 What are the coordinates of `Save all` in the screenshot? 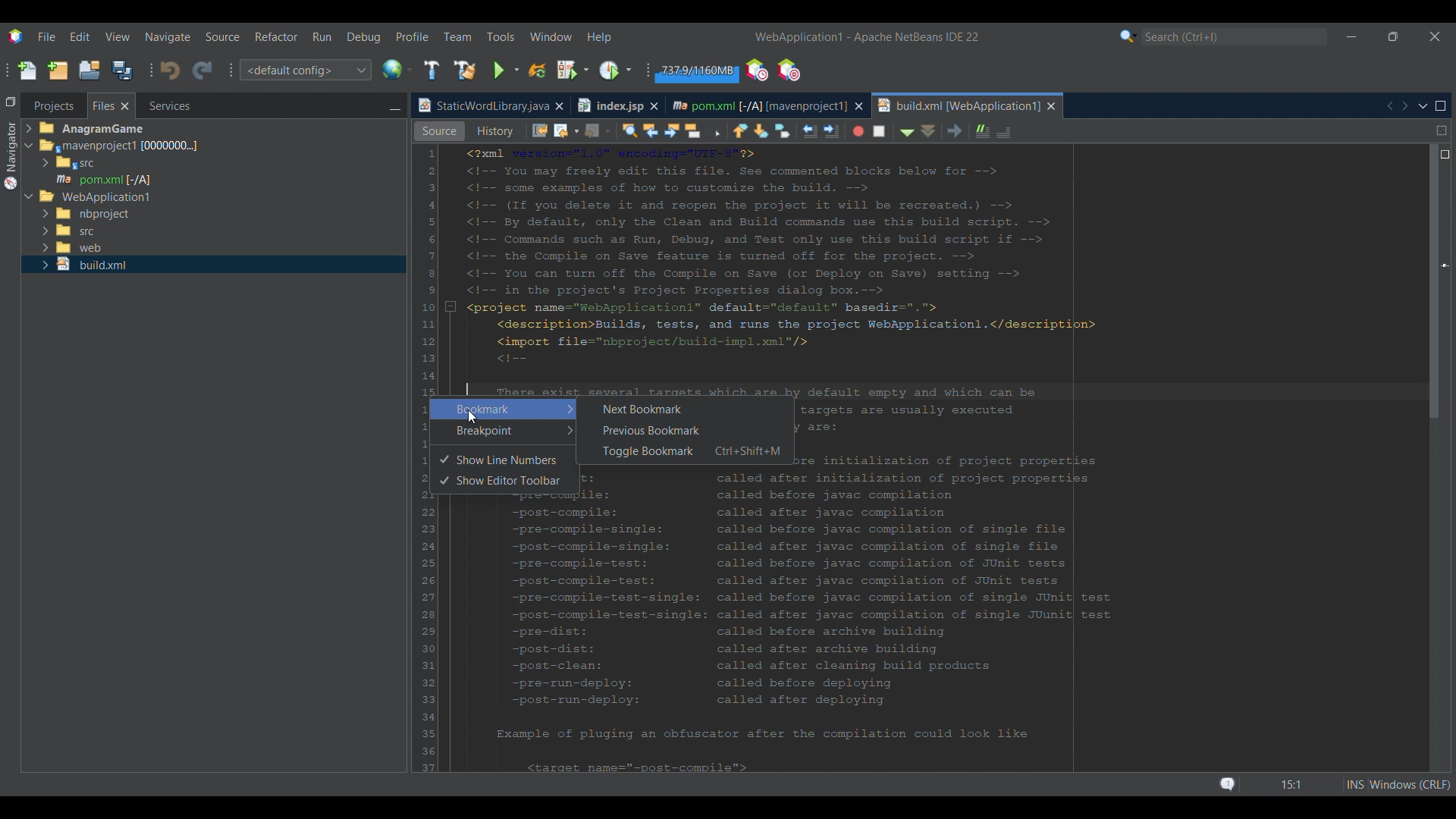 It's located at (122, 70).